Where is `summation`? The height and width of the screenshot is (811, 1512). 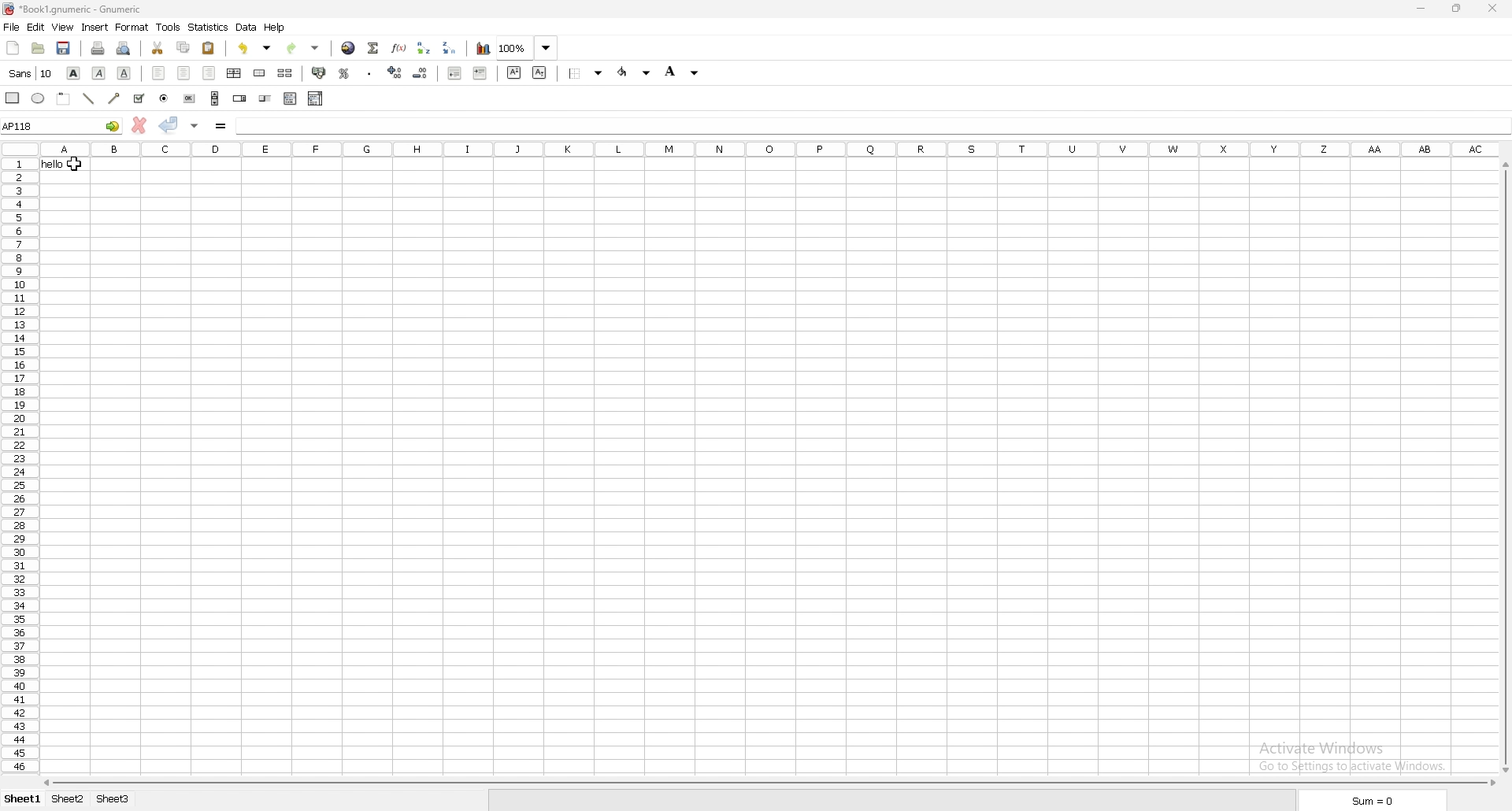
summation is located at coordinates (375, 47).